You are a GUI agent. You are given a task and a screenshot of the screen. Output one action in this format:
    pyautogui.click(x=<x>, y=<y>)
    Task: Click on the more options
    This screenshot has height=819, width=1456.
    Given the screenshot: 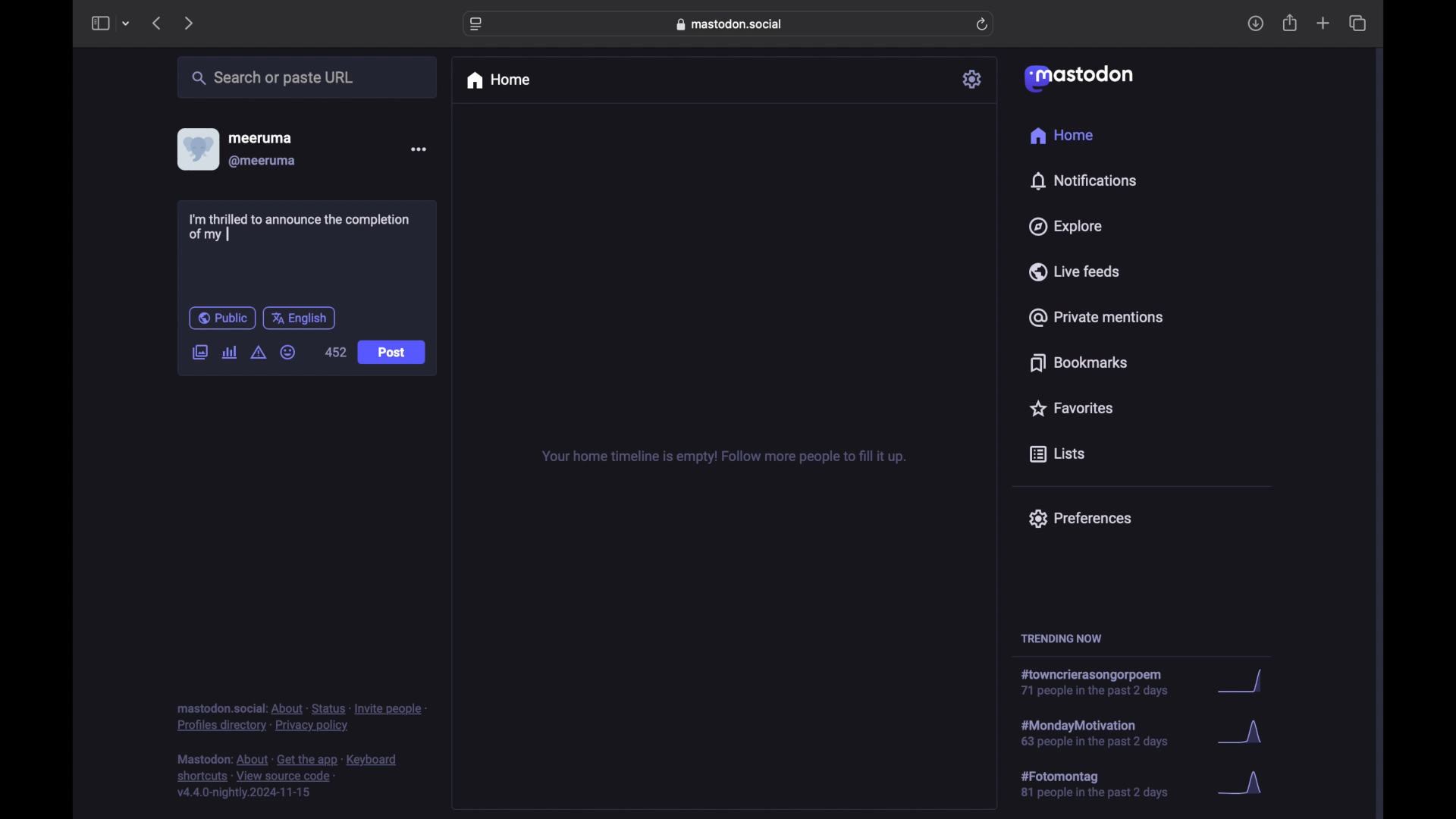 What is the action you would take?
    pyautogui.click(x=418, y=149)
    